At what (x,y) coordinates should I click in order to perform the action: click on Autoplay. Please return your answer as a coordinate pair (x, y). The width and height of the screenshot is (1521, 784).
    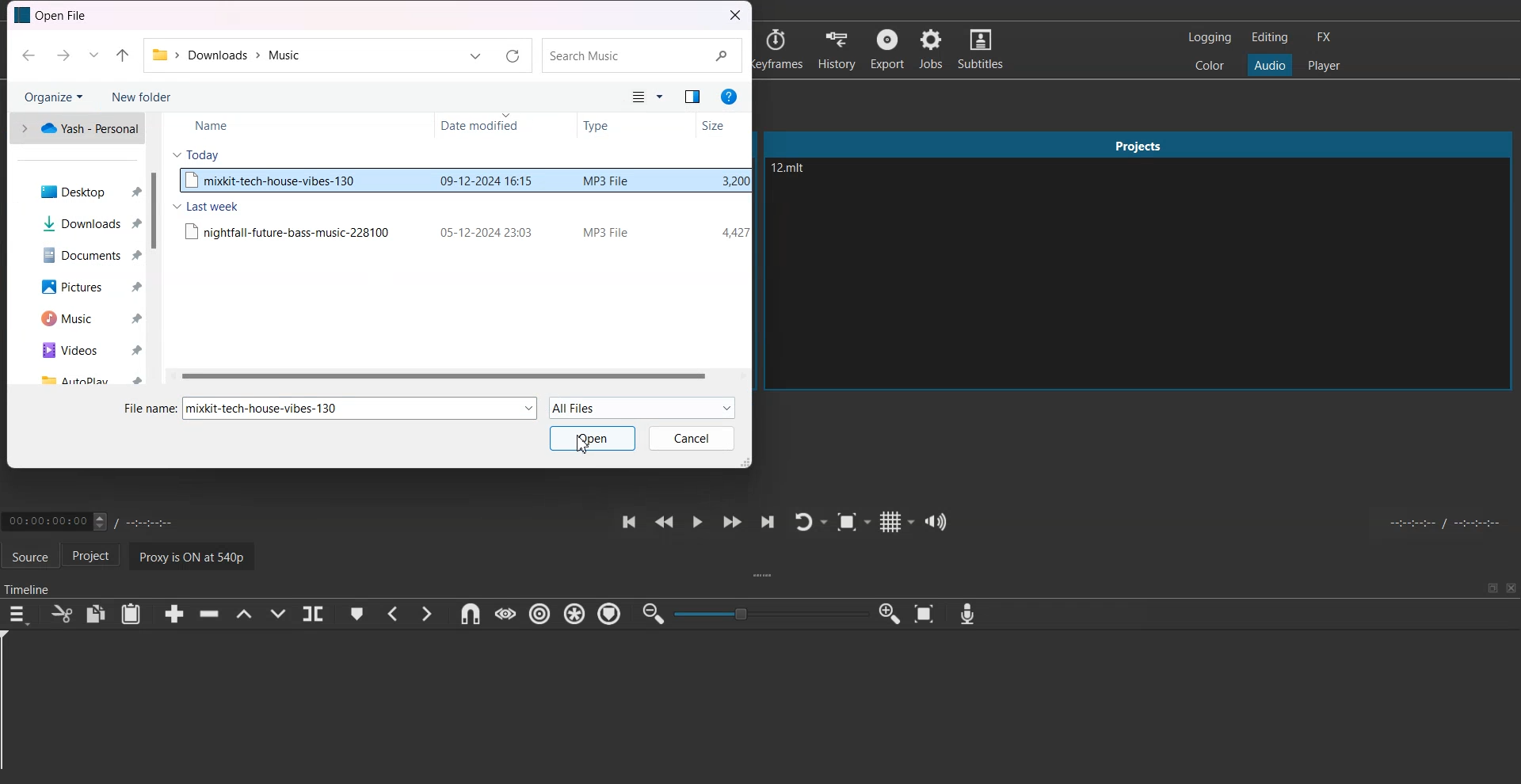
    Looking at the image, I should click on (86, 378).